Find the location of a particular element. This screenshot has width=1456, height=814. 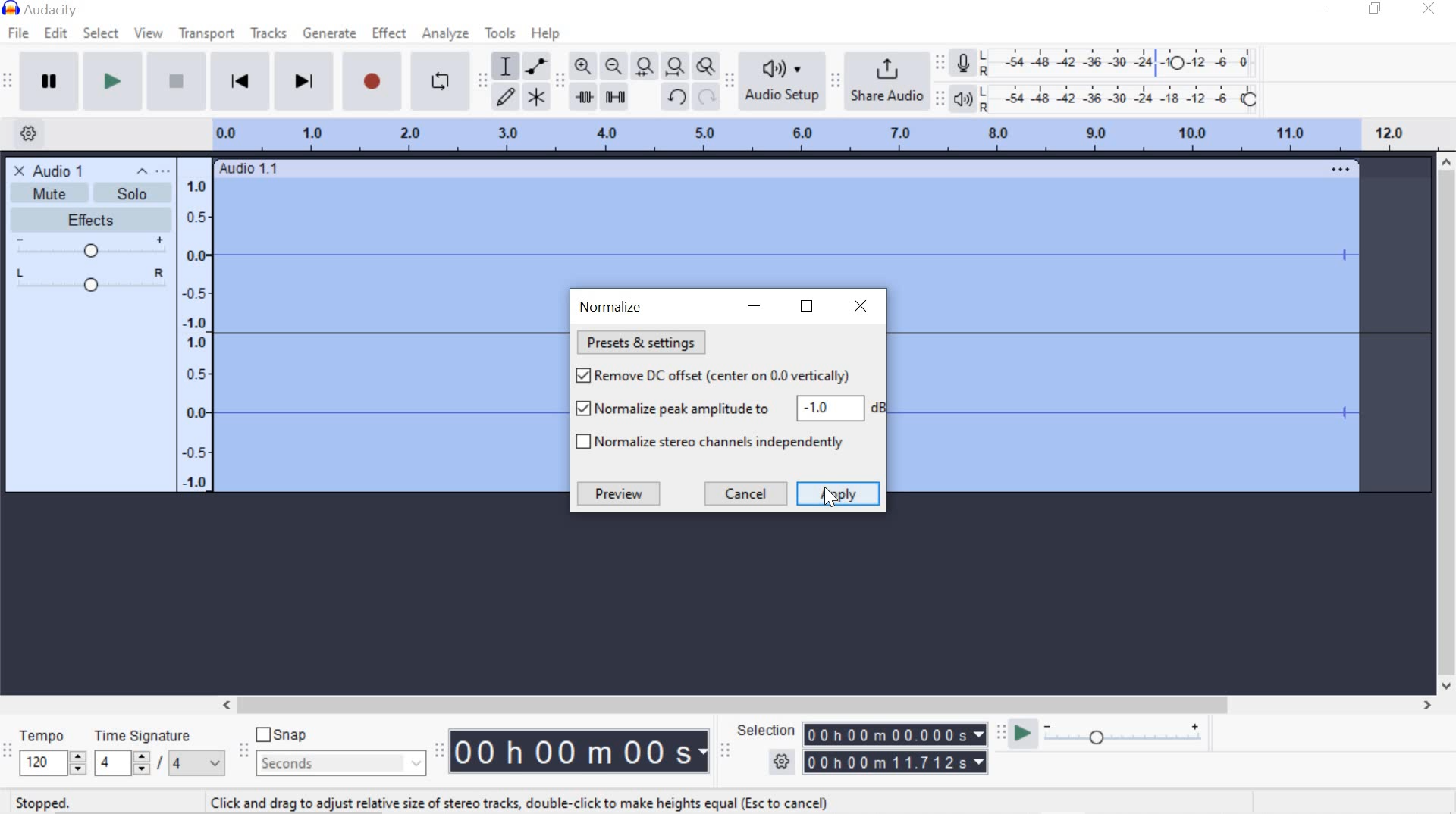

Audio setup is located at coordinates (782, 81).